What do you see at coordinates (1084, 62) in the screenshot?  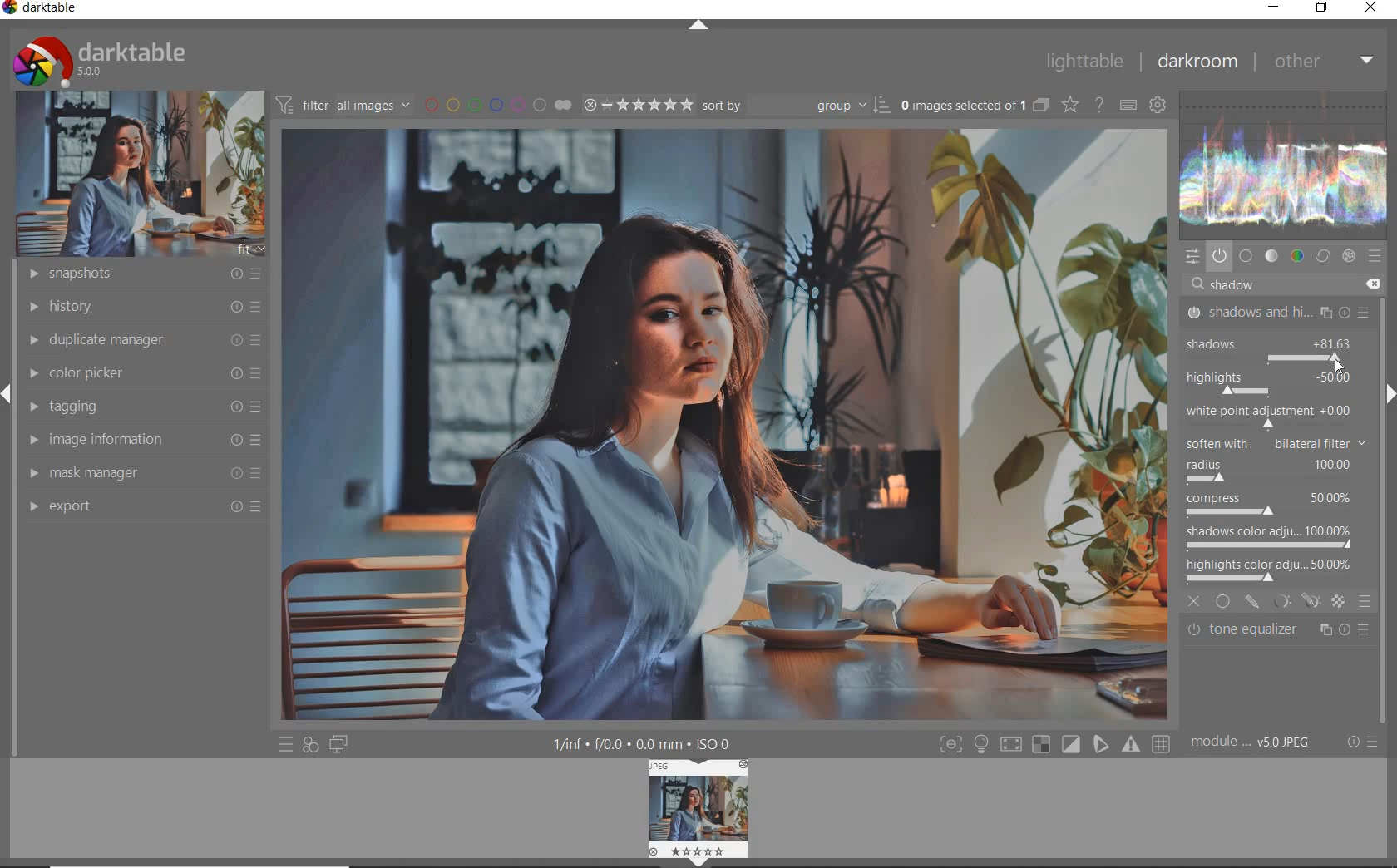 I see `lighttable` at bounding box center [1084, 62].